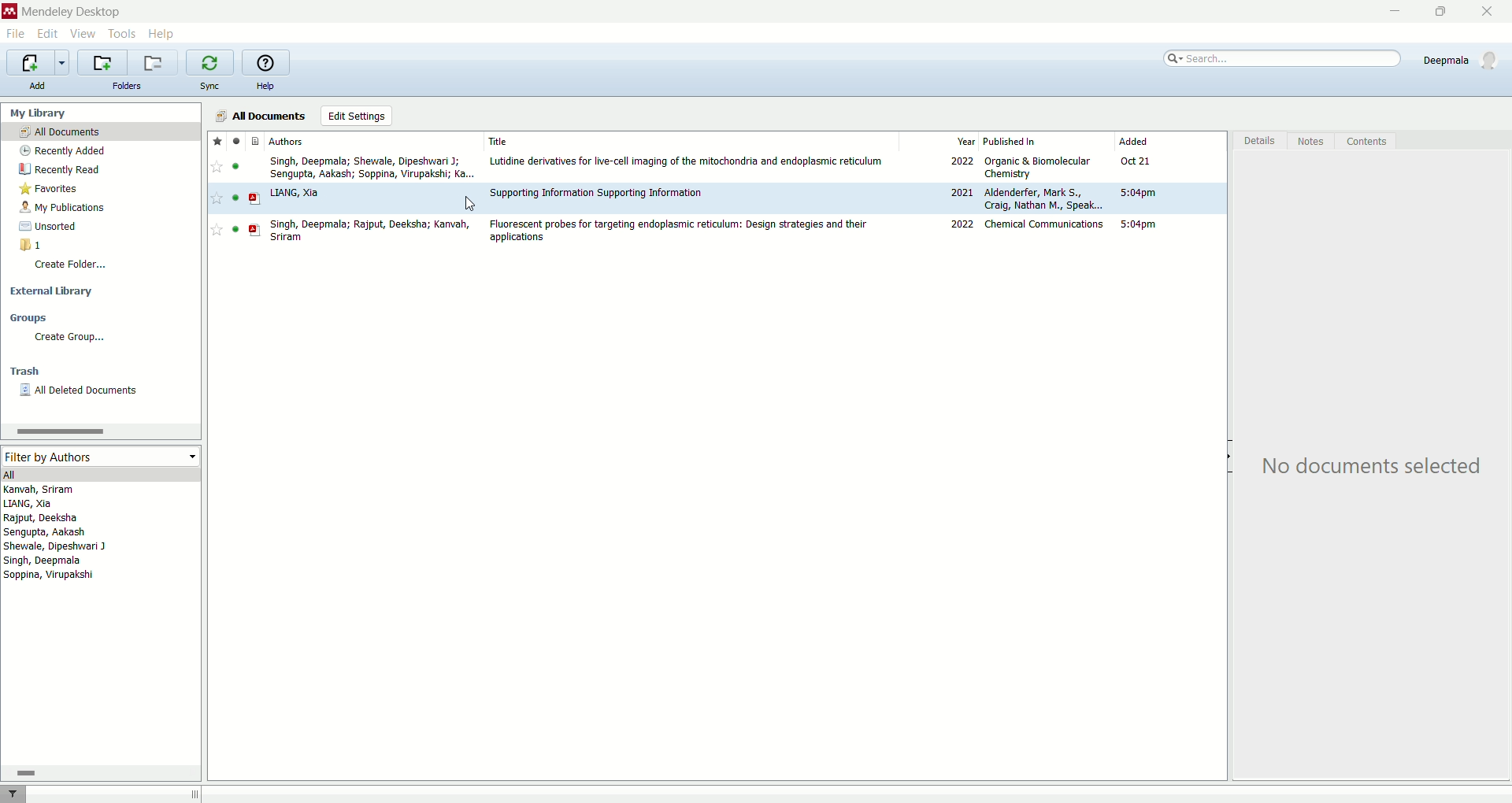 This screenshot has width=1512, height=803. What do you see at coordinates (1044, 224) in the screenshot?
I see `Chemical Communications` at bounding box center [1044, 224].